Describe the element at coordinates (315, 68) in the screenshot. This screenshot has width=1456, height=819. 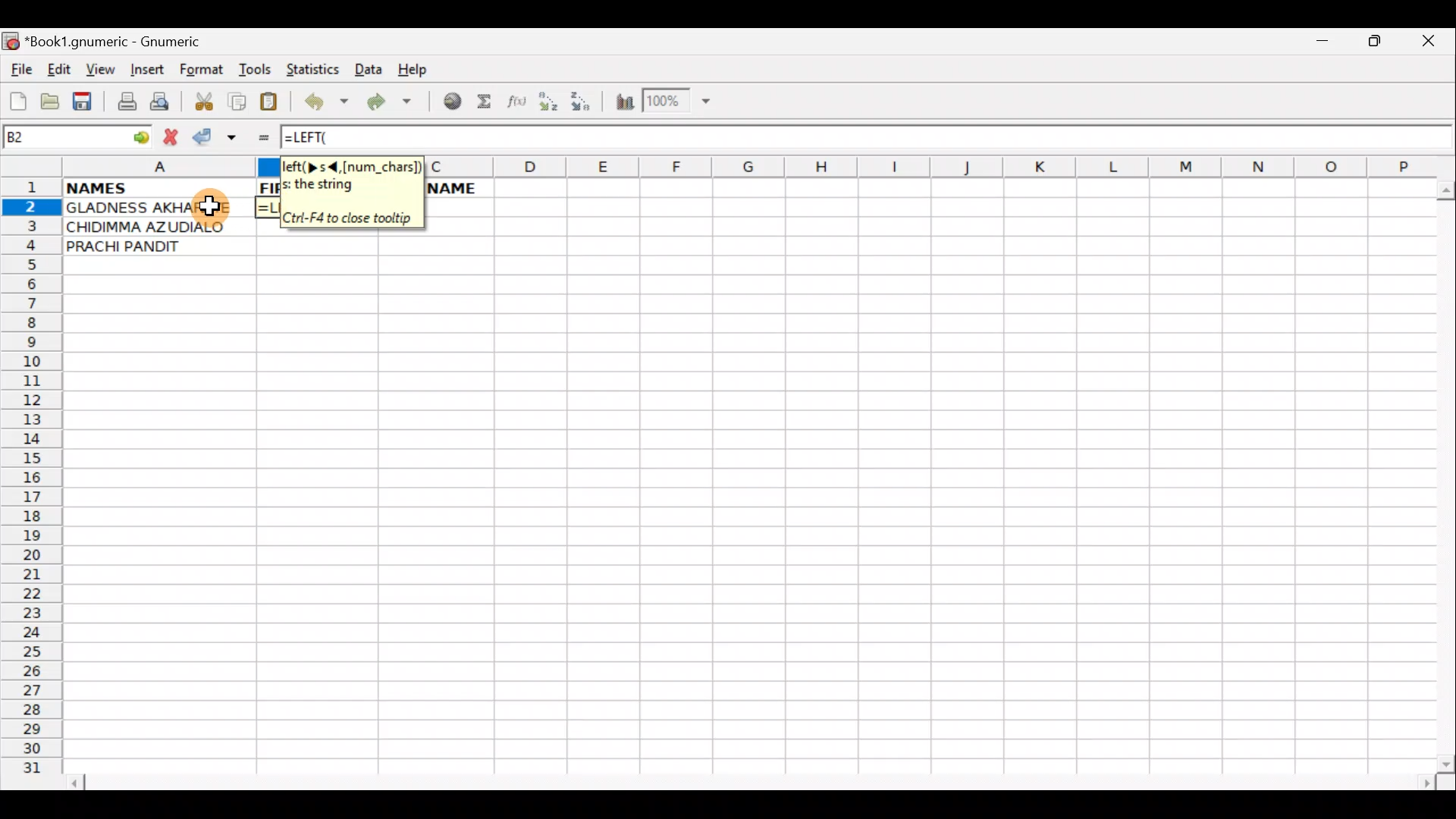
I see `Statistics` at that location.